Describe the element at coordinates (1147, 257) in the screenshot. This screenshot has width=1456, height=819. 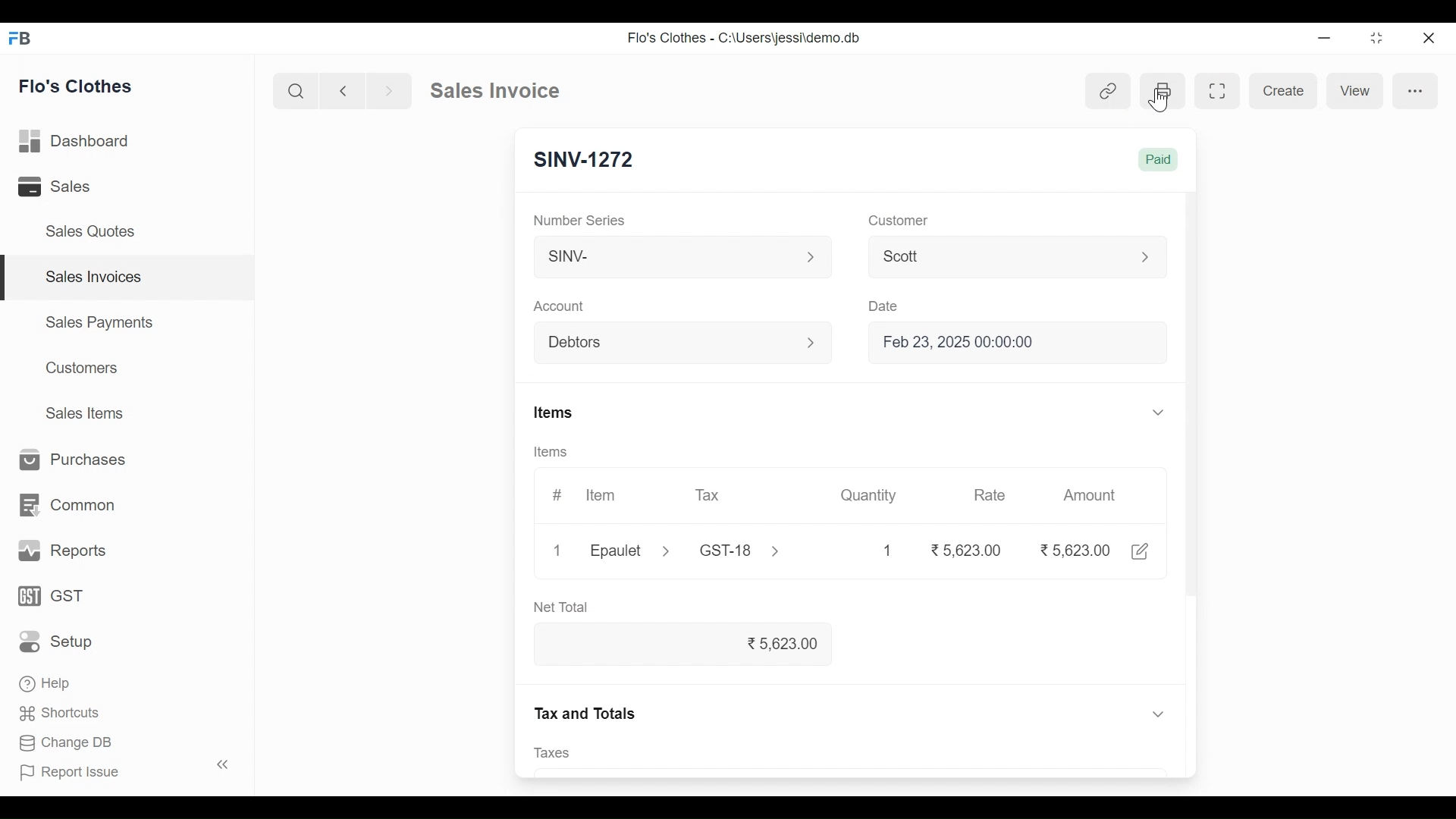
I see `Expand` at that location.